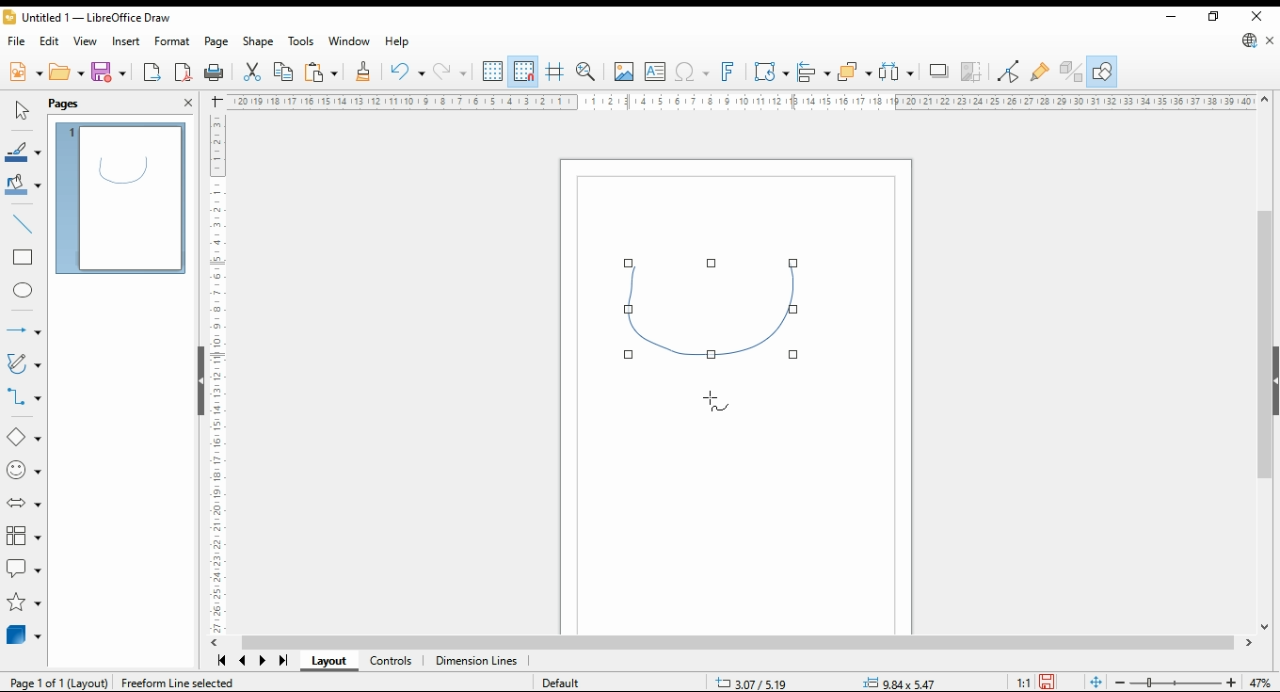  Describe the element at coordinates (22, 396) in the screenshot. I see `connectors` at that location.